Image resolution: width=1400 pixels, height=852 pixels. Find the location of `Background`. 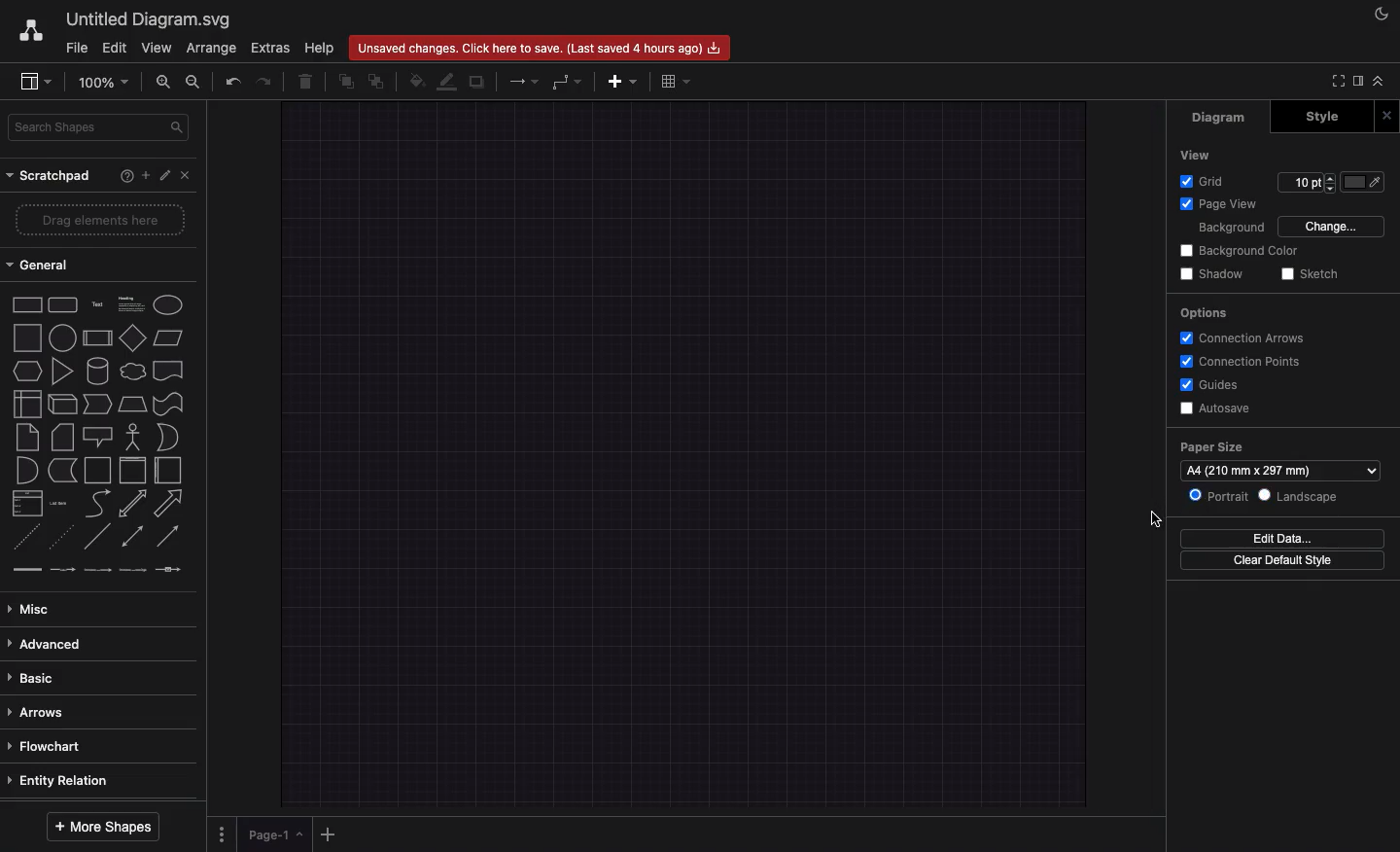

Background is located at coordinates (1229, 228).